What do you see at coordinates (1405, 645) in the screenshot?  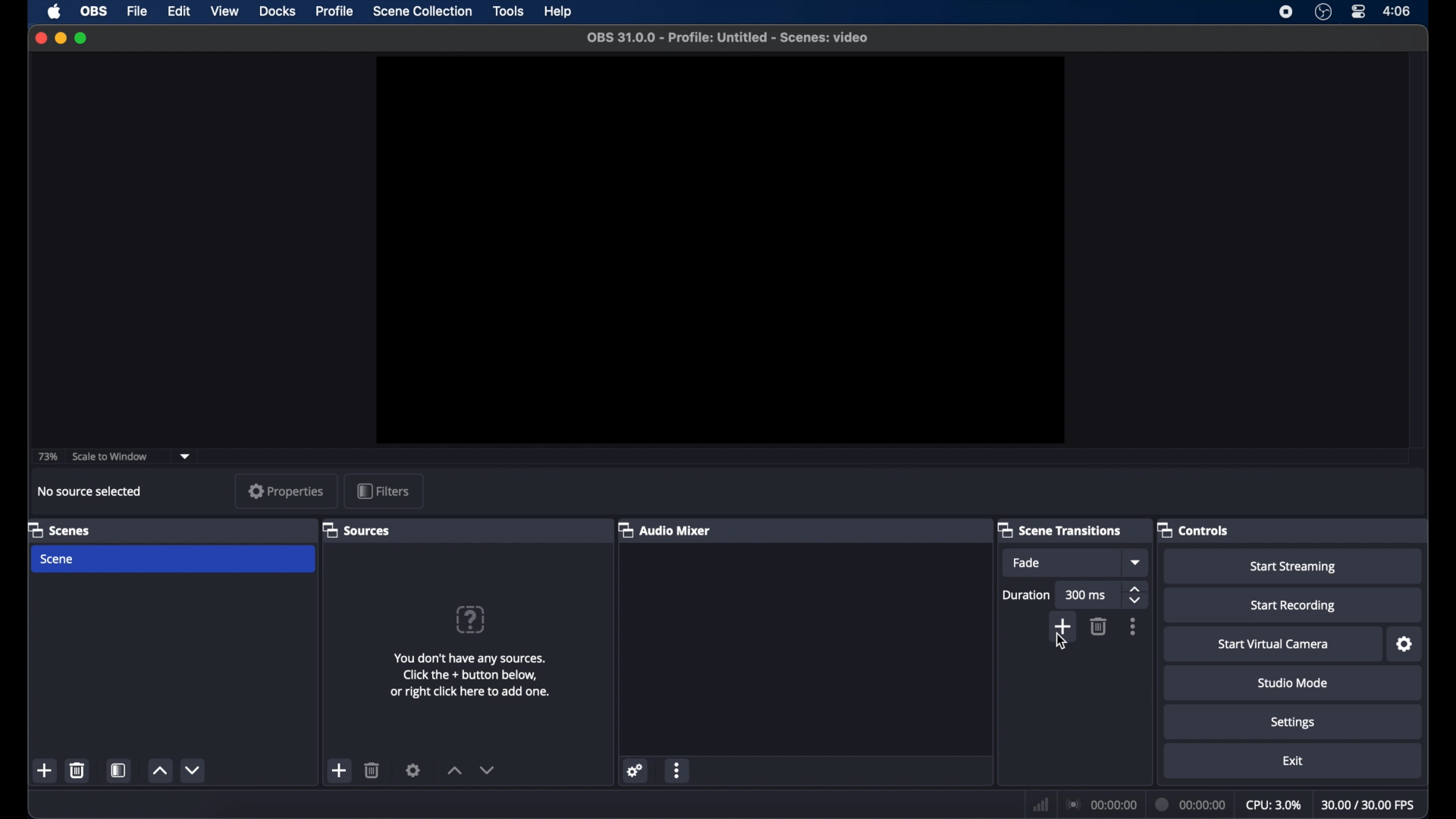 I see `settings` at bounding box center [1405, 645].